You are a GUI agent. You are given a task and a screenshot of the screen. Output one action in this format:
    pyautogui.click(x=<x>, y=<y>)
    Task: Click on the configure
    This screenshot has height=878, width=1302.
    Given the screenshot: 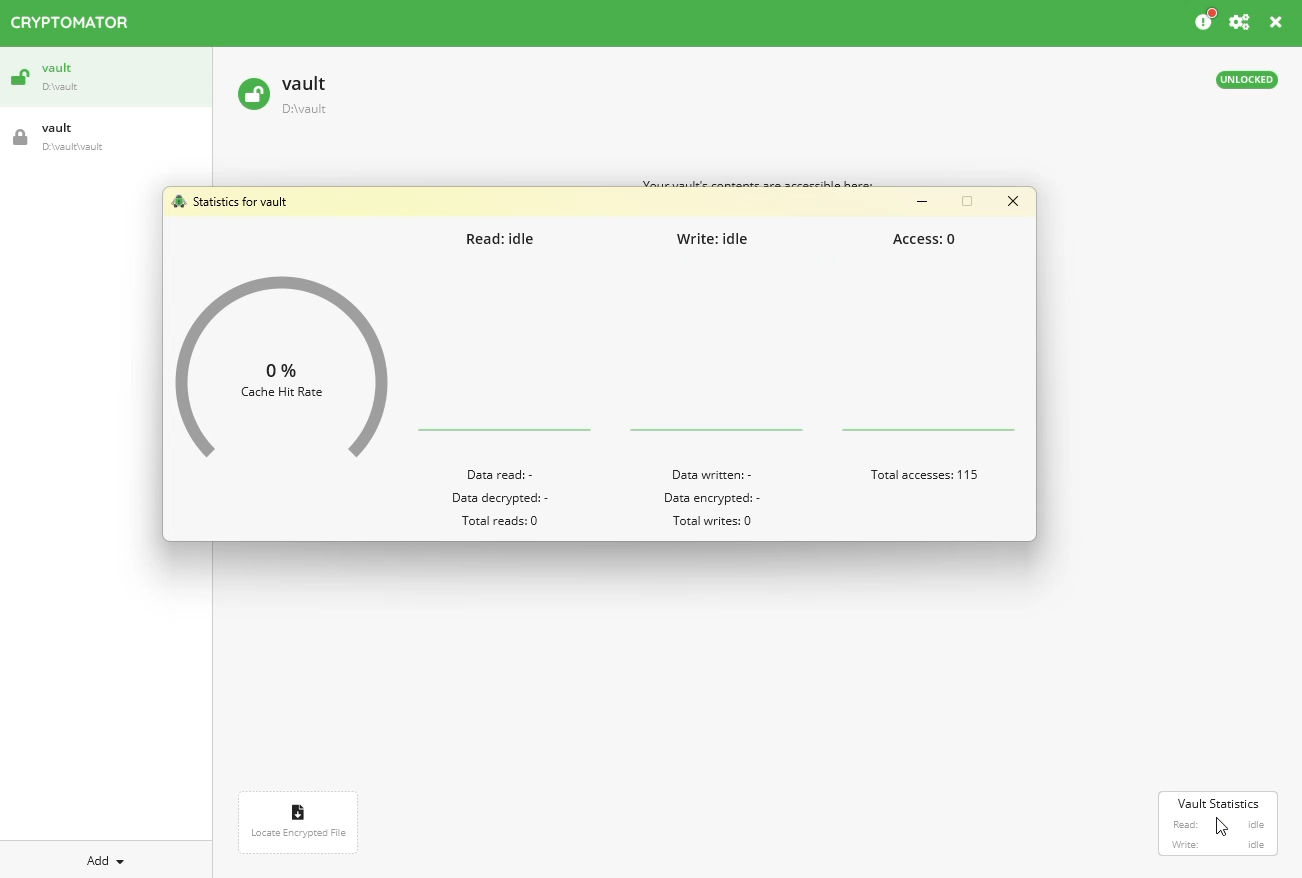 What is the action you would take?
    pyautogui.click(x=1241, y=22)
    